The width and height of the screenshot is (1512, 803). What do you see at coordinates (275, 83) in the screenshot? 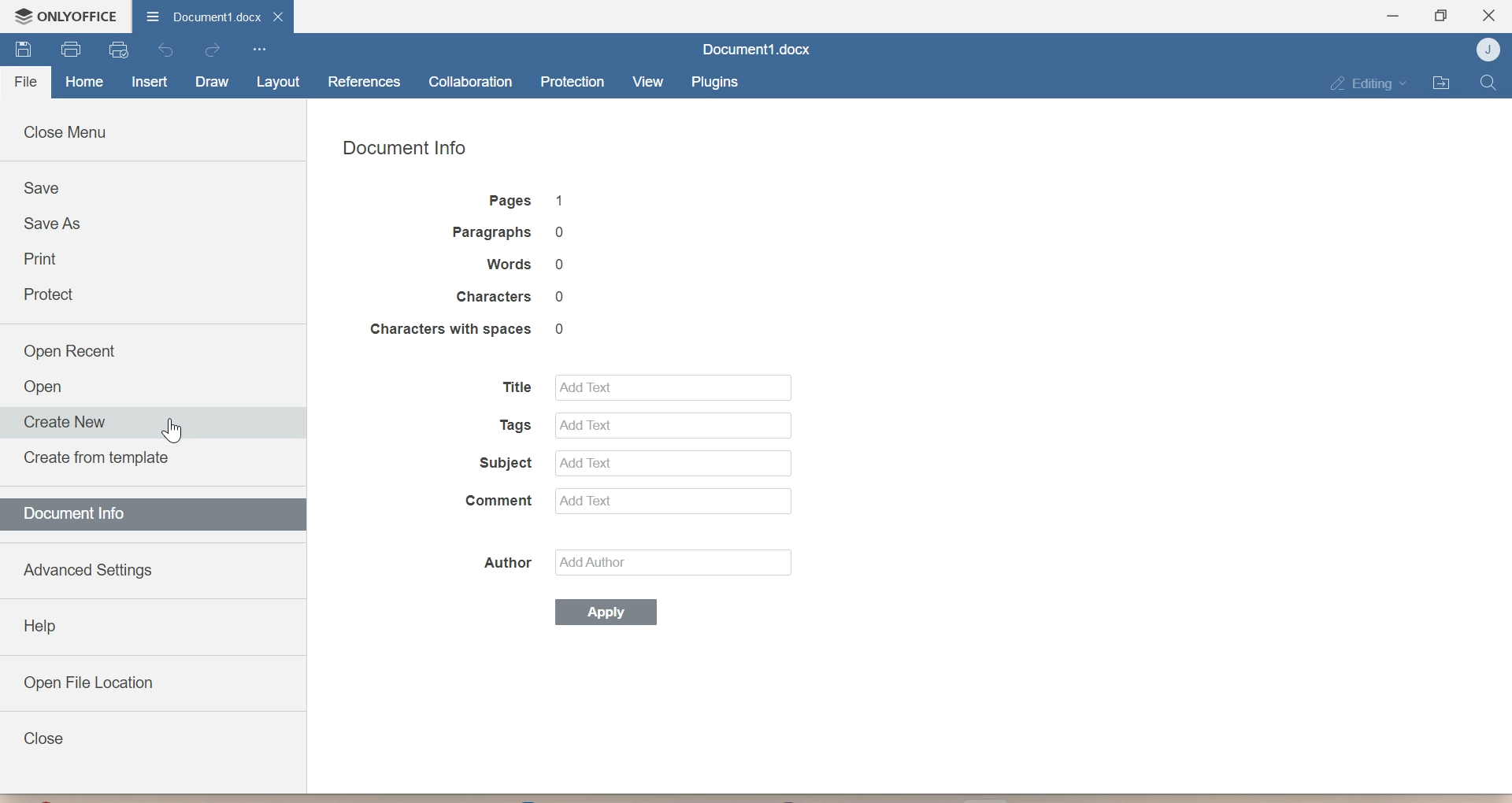
I see `Layout` at bounding box center [275, 83].